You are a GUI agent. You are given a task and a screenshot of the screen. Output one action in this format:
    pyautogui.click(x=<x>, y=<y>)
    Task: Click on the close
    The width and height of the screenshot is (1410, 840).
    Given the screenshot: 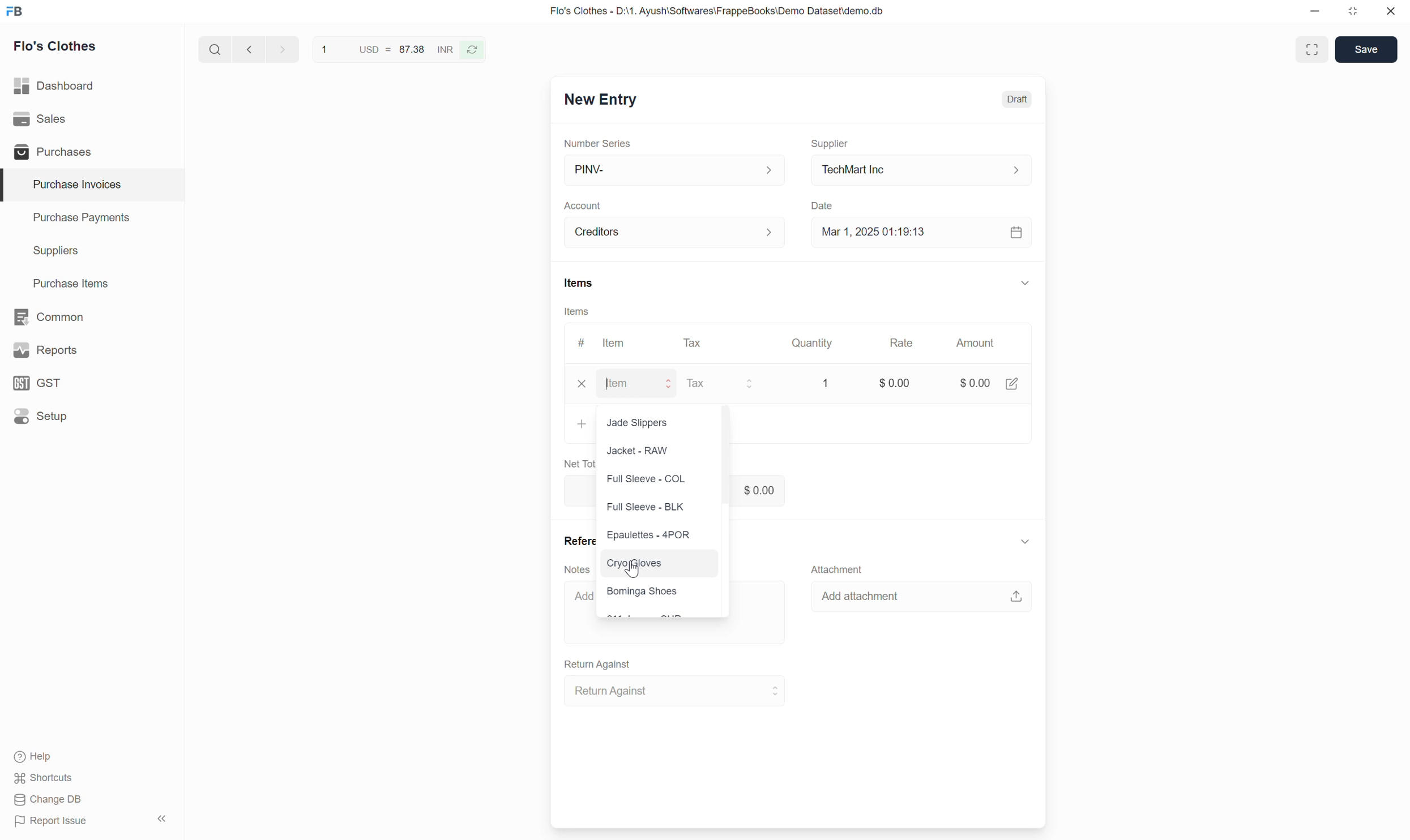 What is the action you would take?
    pyautogui.click(x=1391, y=13)
    